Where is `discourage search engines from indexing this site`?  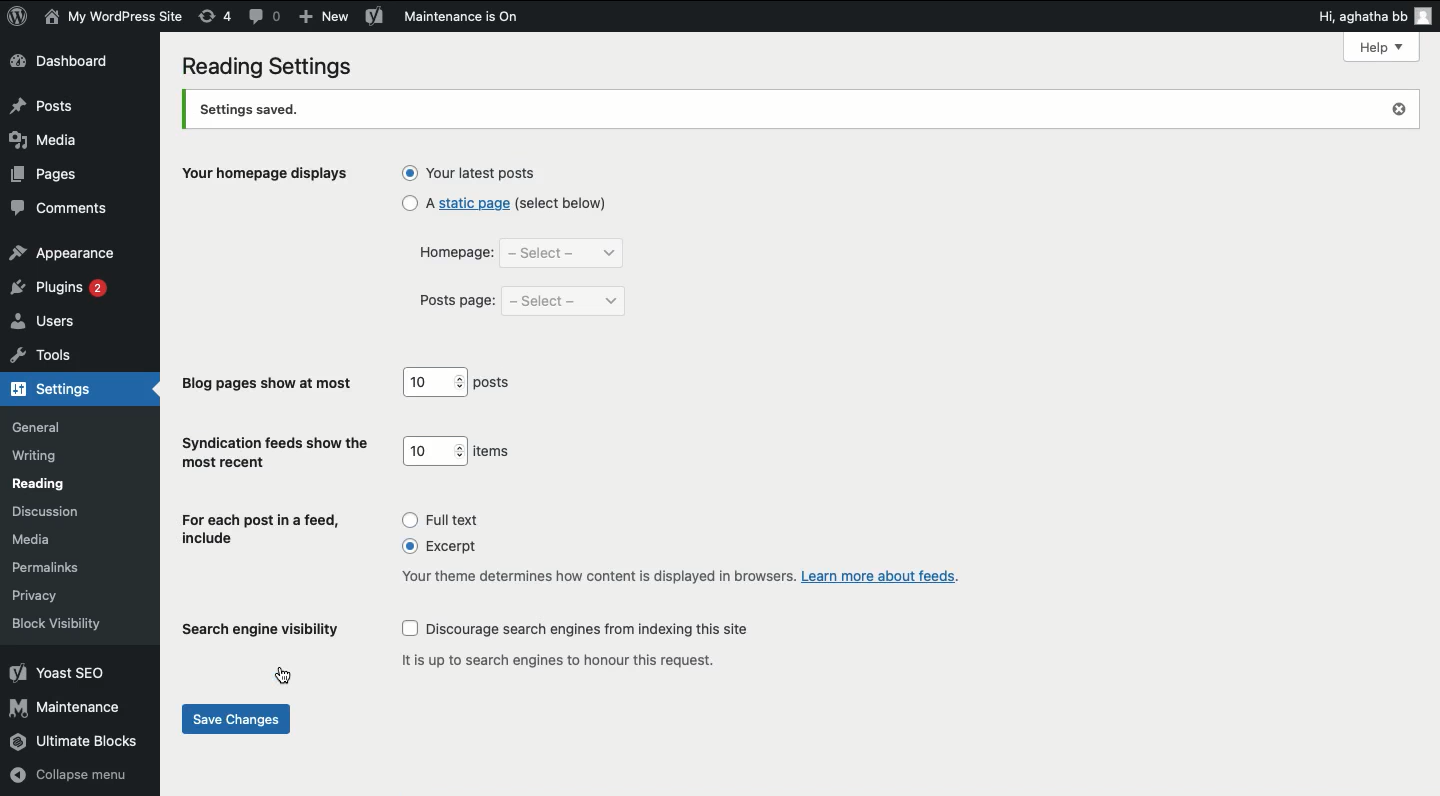 discourage search engines from indexing this site is located at coordinates (580, 631).